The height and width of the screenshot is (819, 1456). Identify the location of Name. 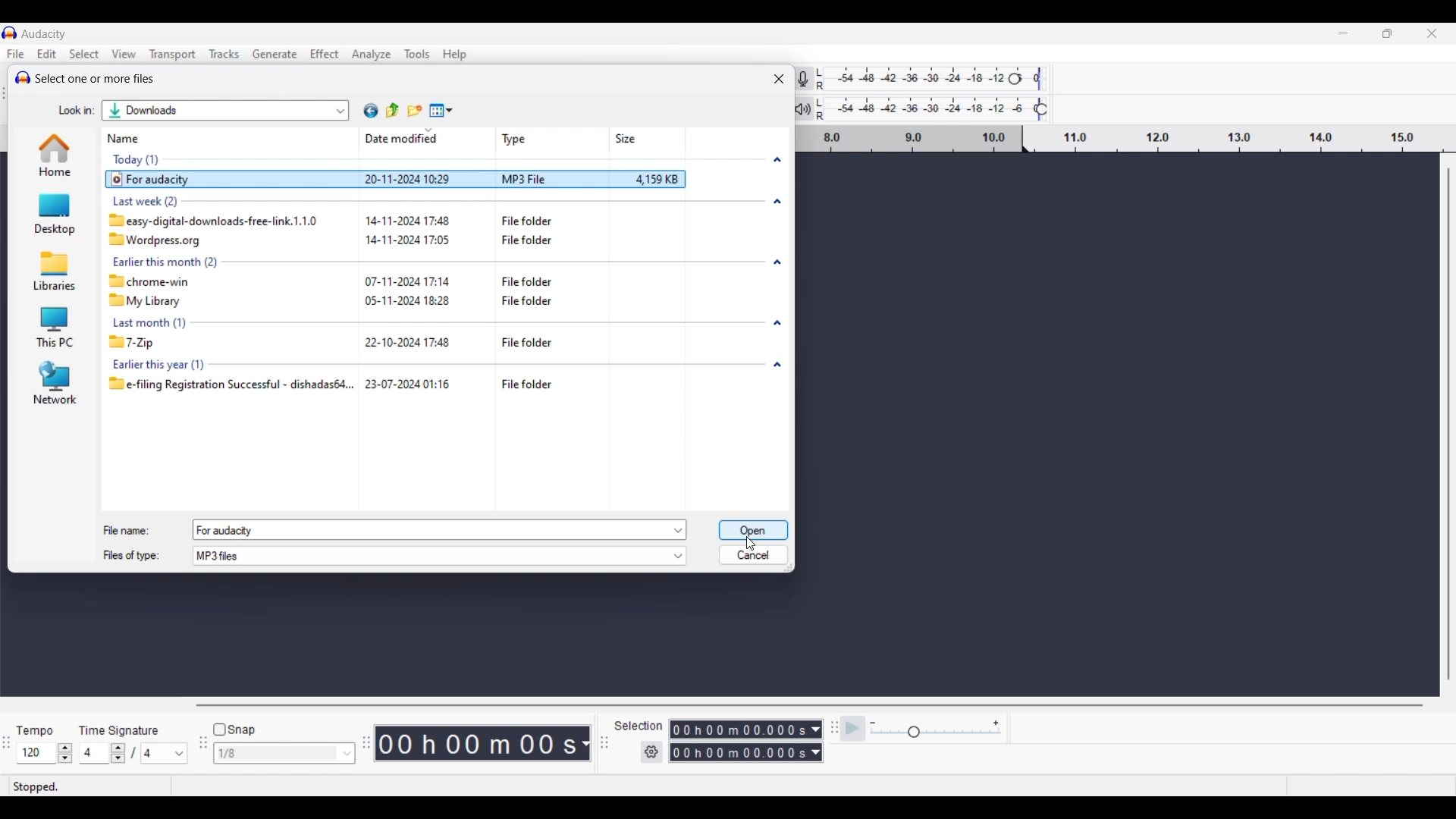
(129, 140).